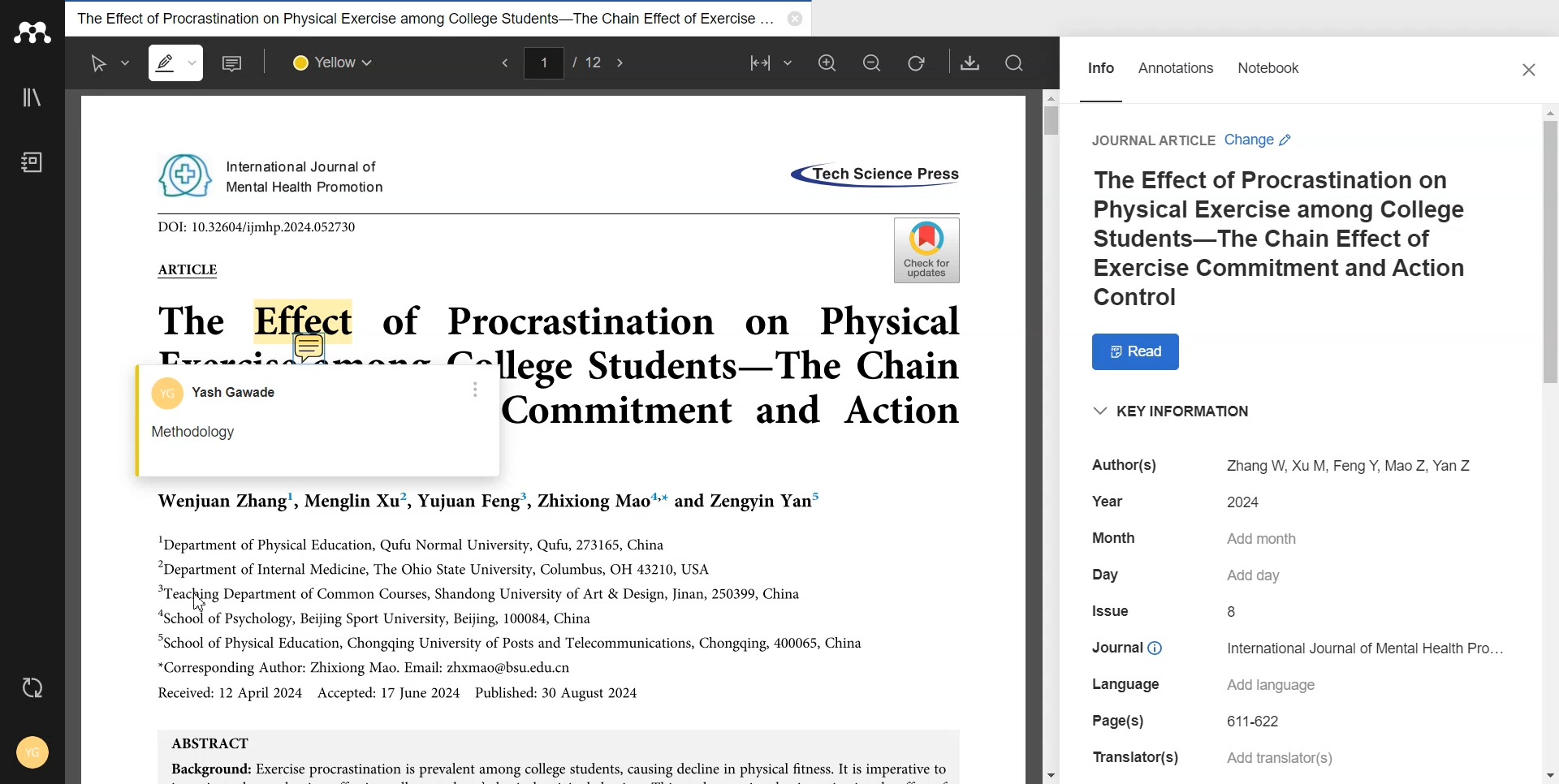  What do you see at coordinates (32, 97) in the screenshot?
I see `Library` at bounding box center [32, 97].